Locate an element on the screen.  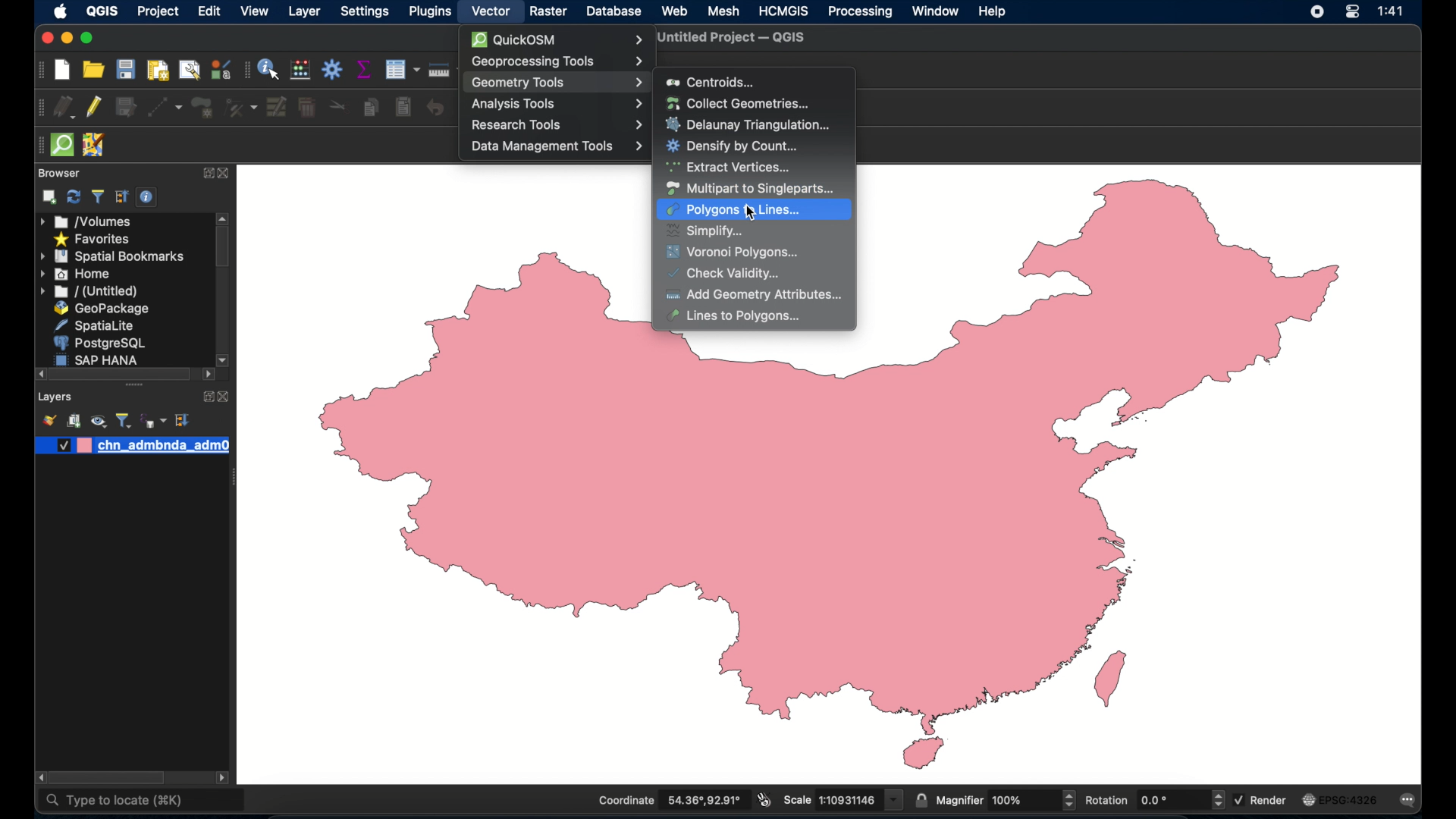
plugins is located at coordinates (428, 11).